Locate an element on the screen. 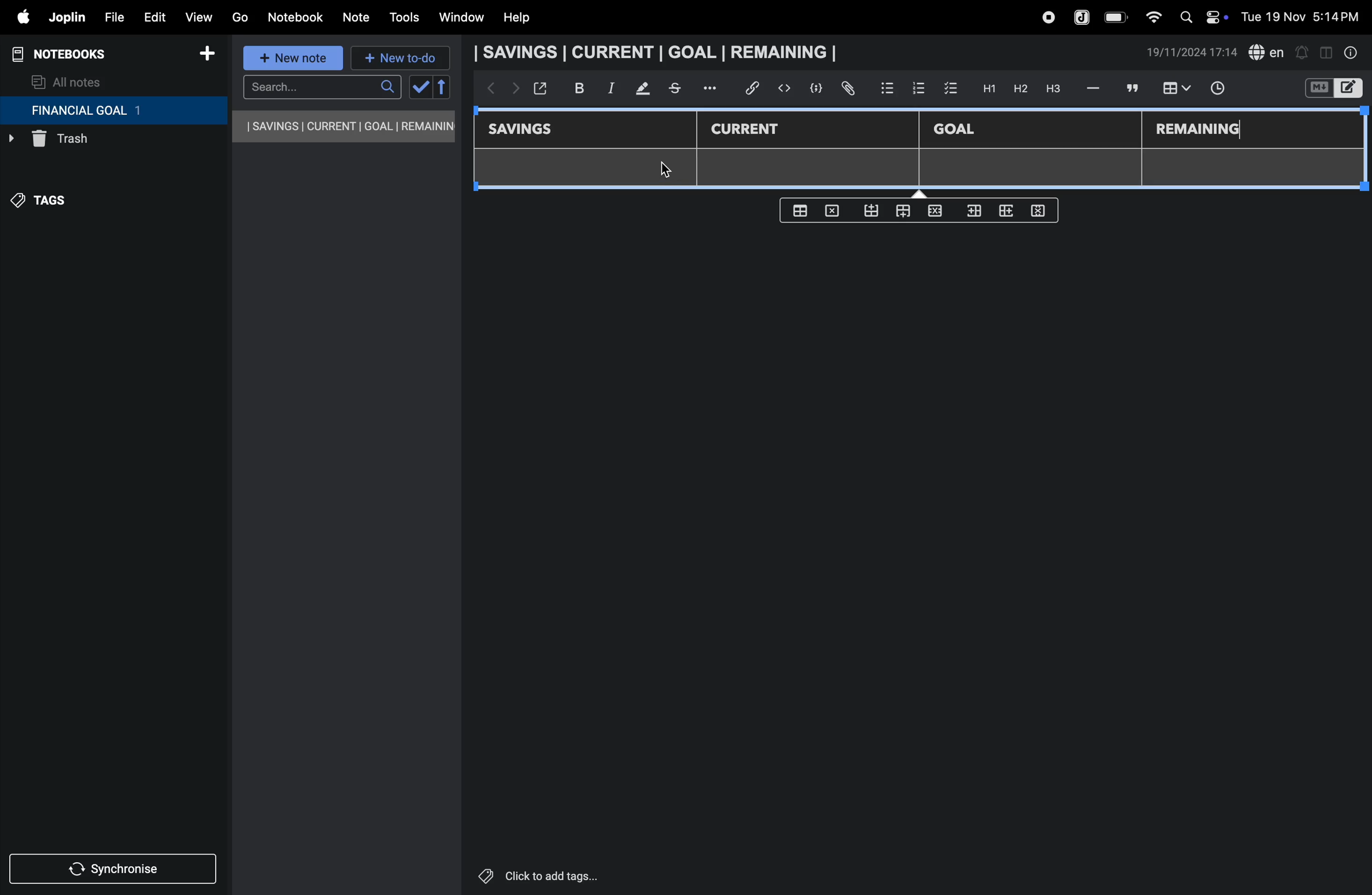 This screenshot has height=895, width=1372. financial goal is located at coordinates (113, 111).